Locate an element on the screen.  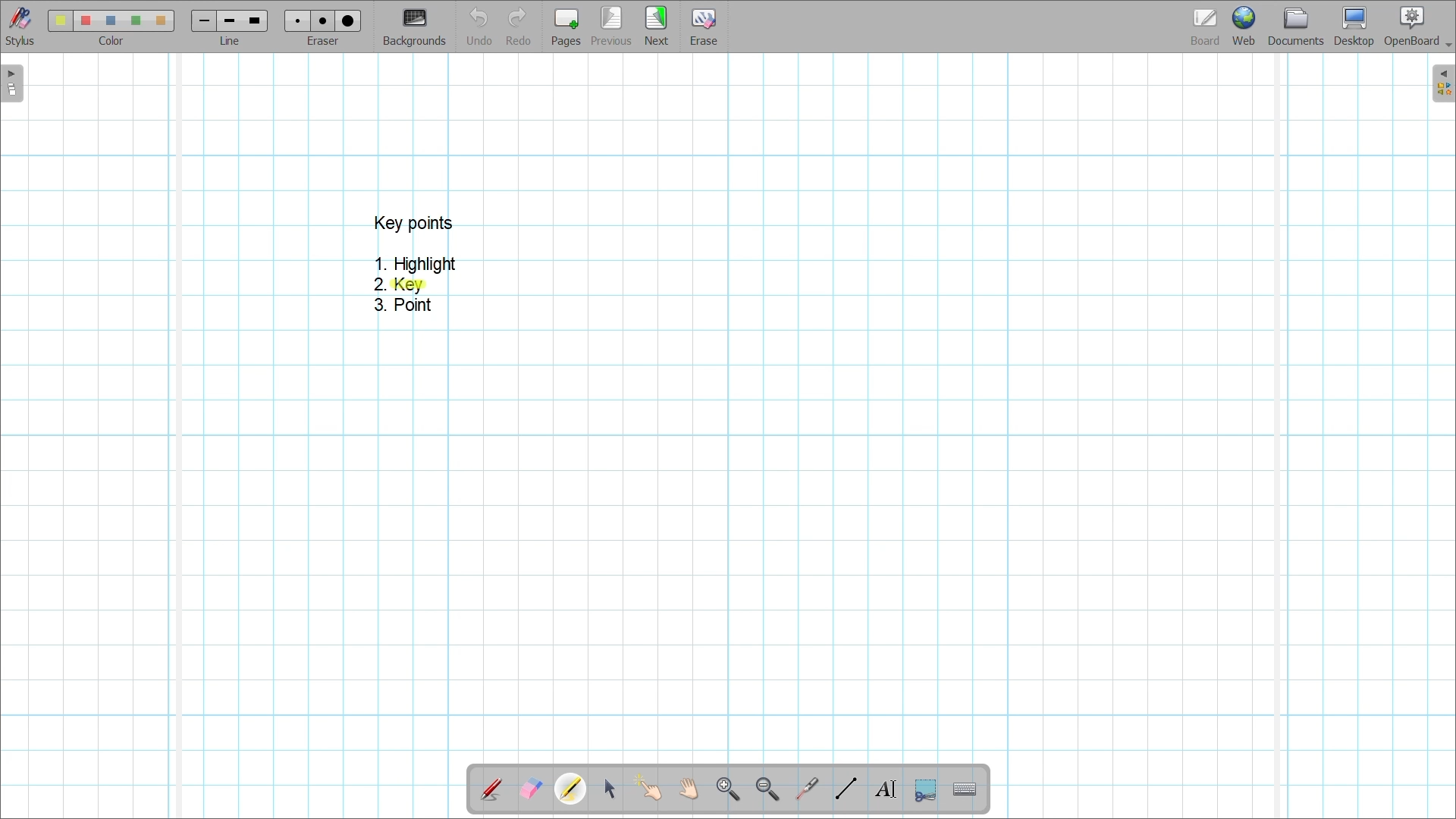
line is located at coordinates (234, 42).